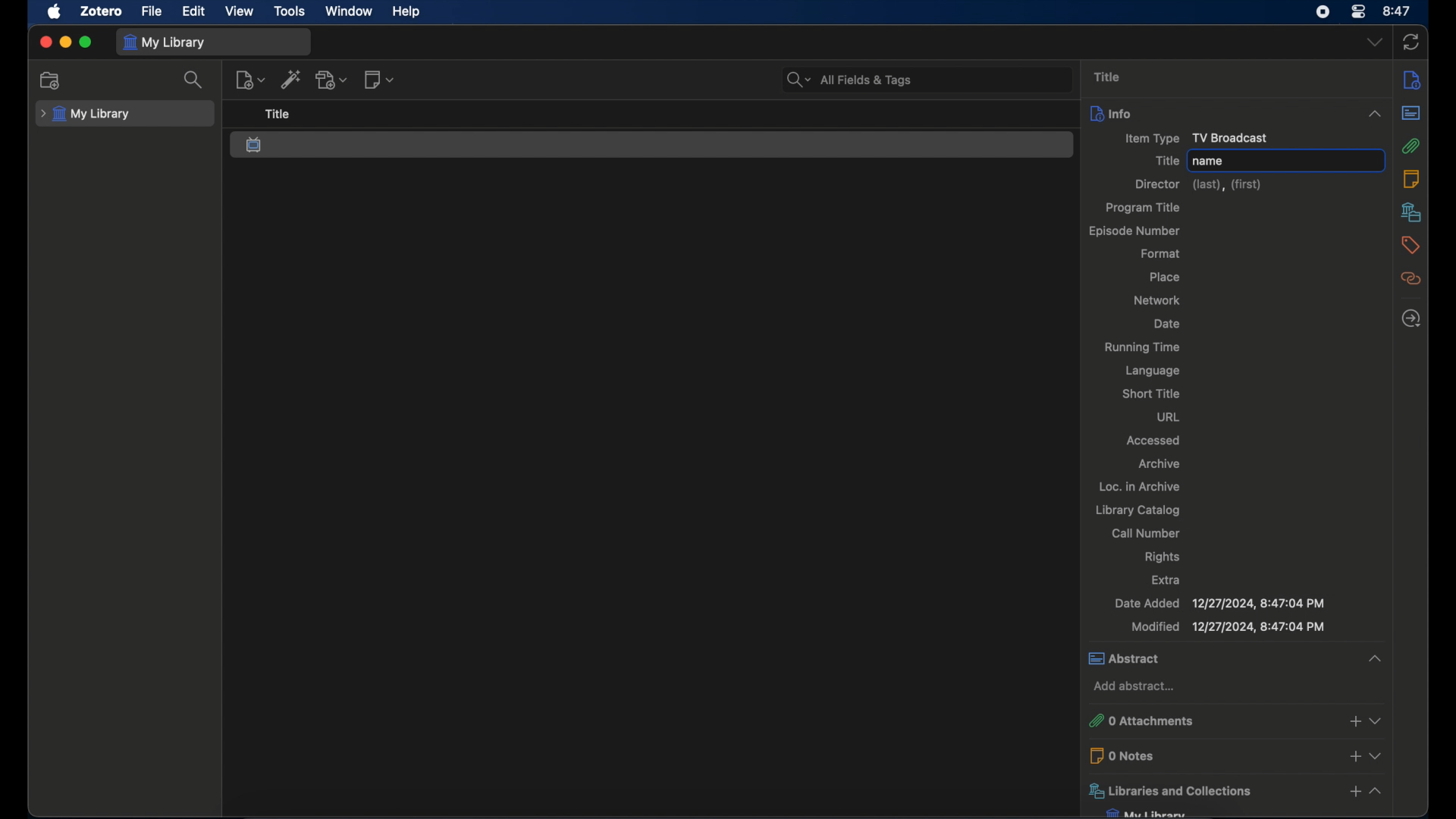  Describe the element at coordinates (256, 145) in the screenshot. I see `tv broadcast` at that location.